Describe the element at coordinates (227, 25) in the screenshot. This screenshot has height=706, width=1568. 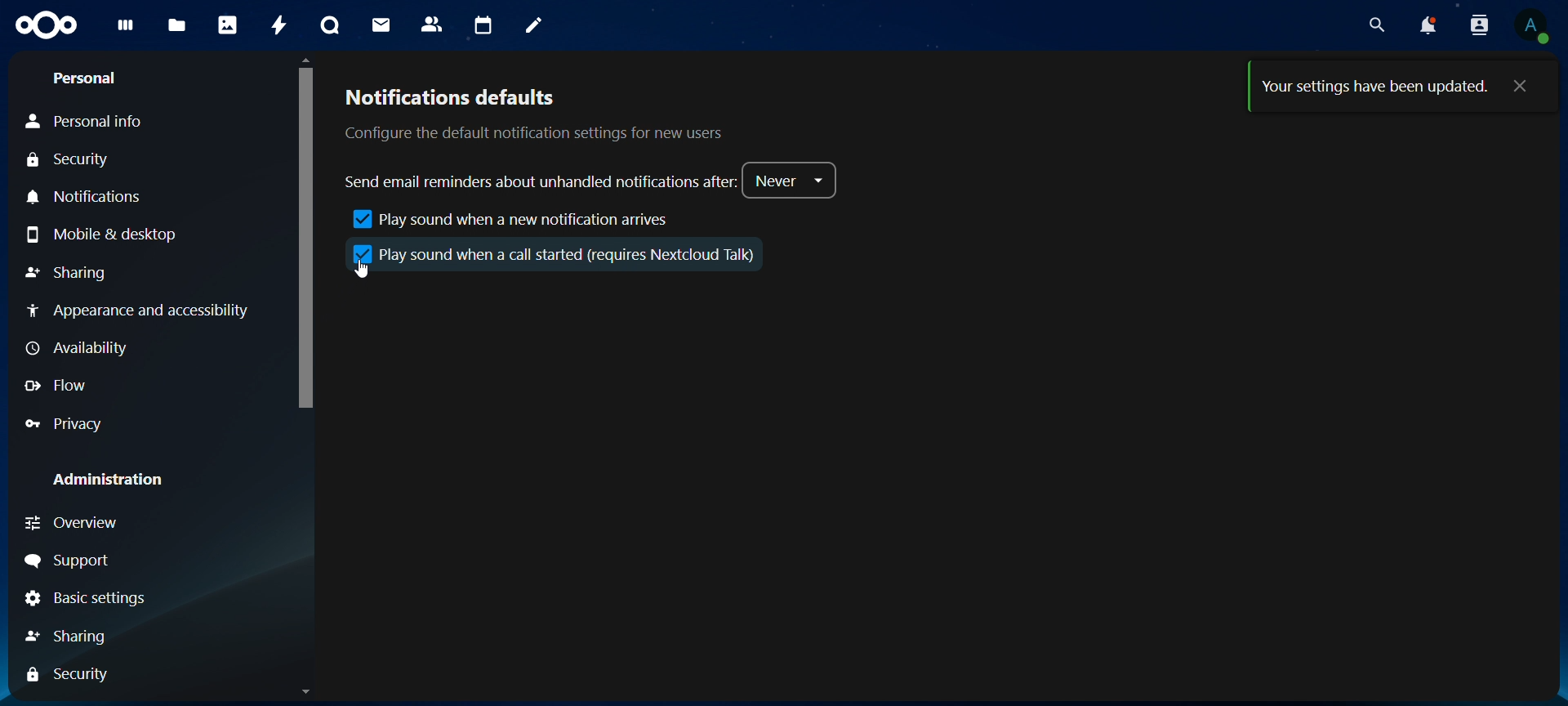
I see `photos` at that location.